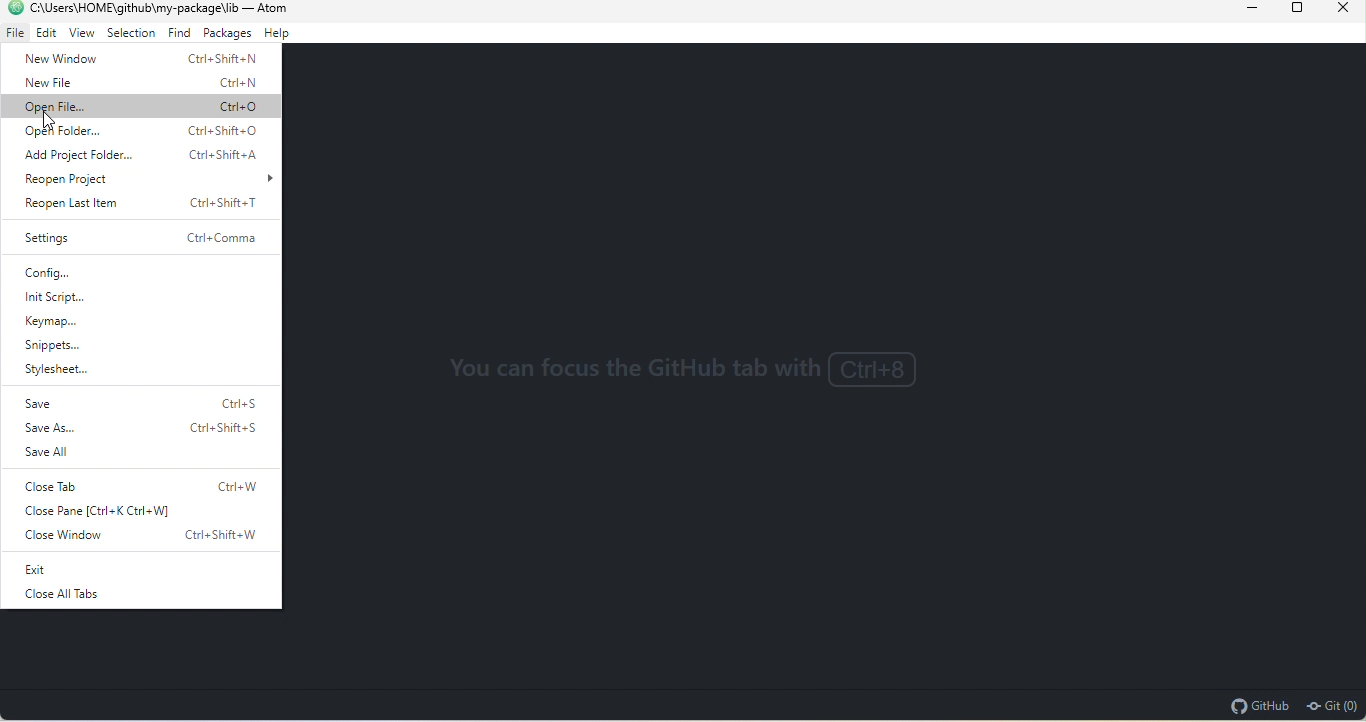 The height and width of the screenshot is (722, 1366). I want to click on setting, so click(138, 239).